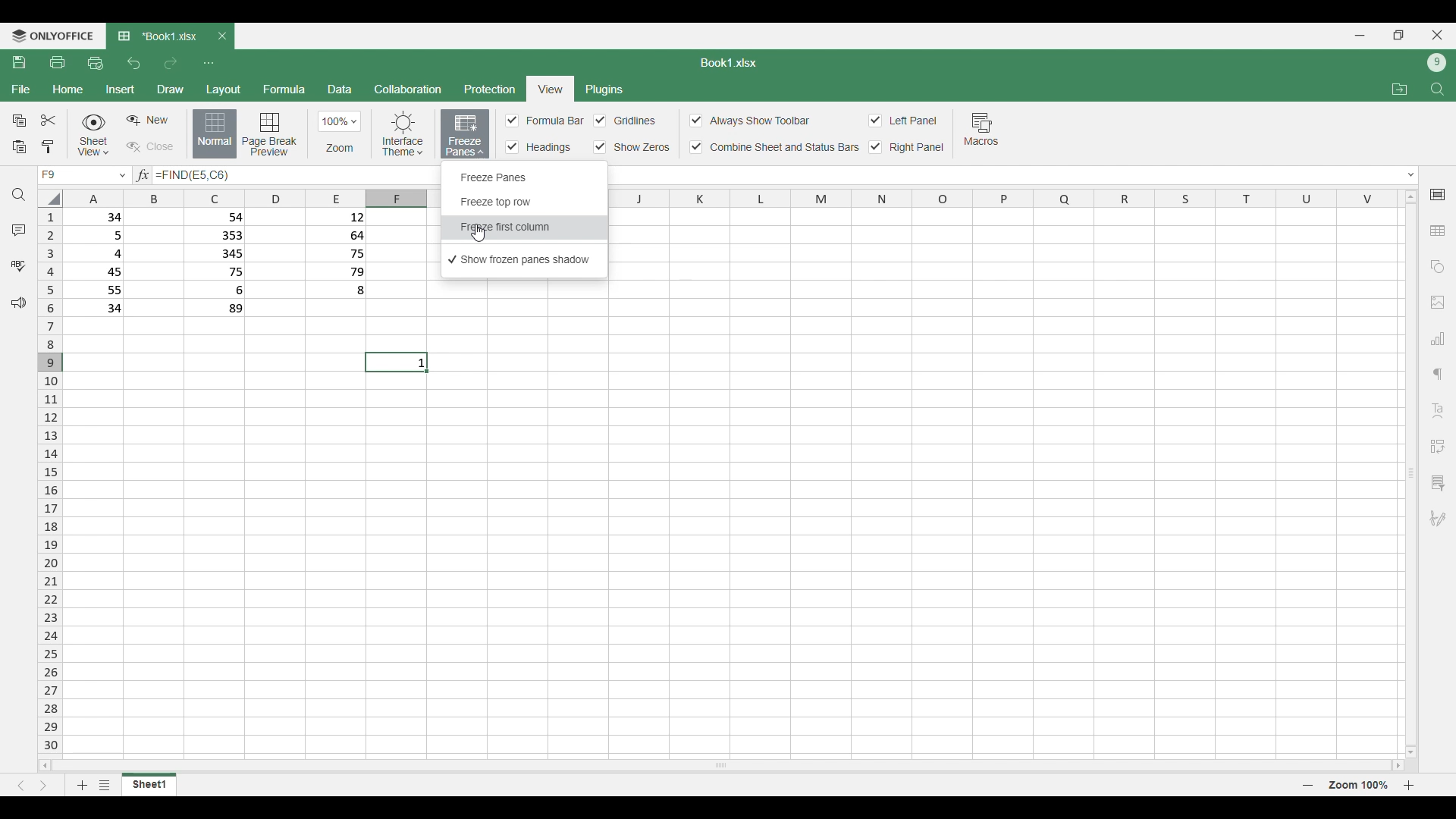 This screenshot has height=819, width=1456. Describe the element at coordinates (1438, 375) in the screenshot. I see `Paragraph settings` at that location.